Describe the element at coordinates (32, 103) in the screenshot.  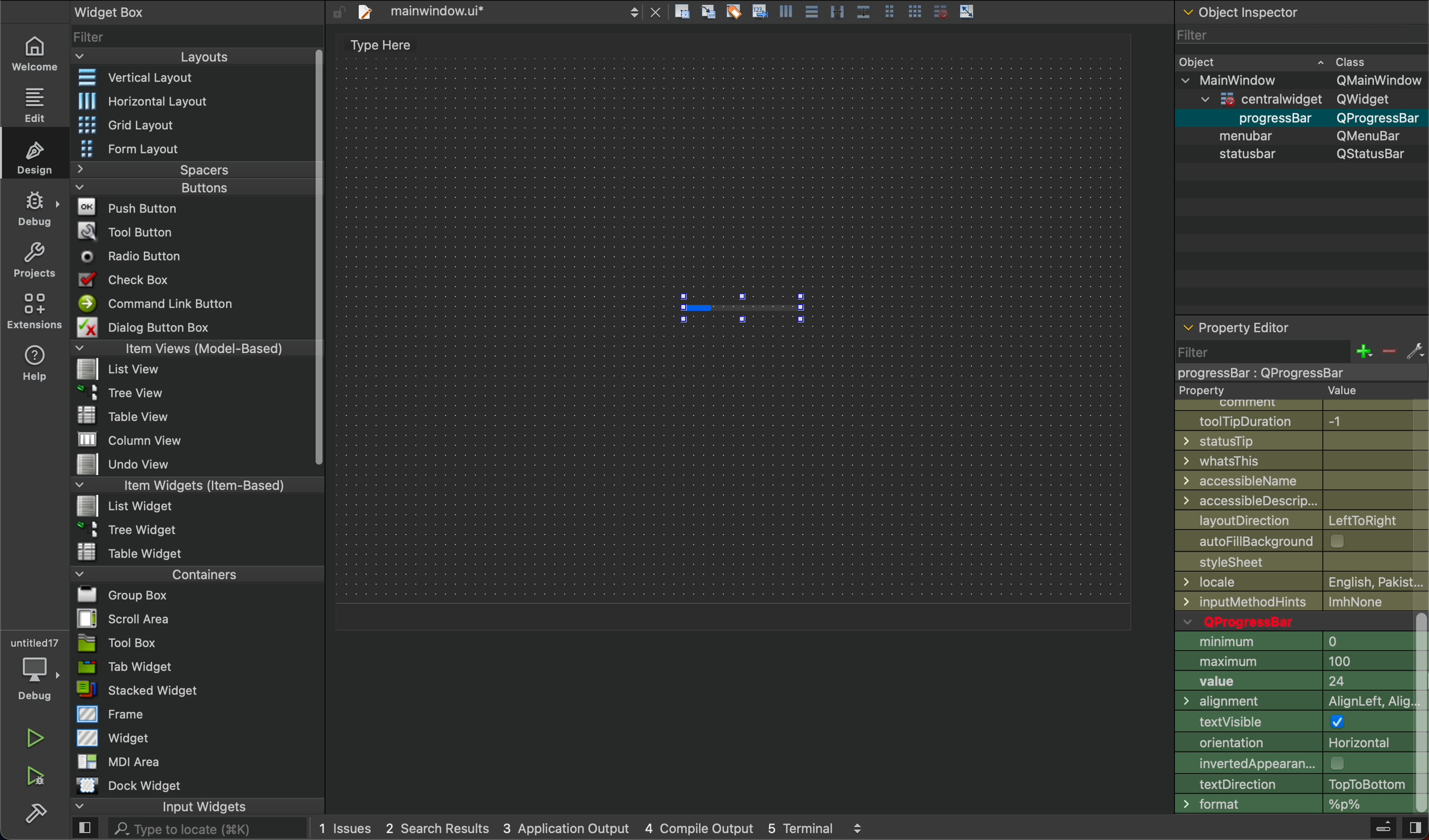
I see `edit` at that location.